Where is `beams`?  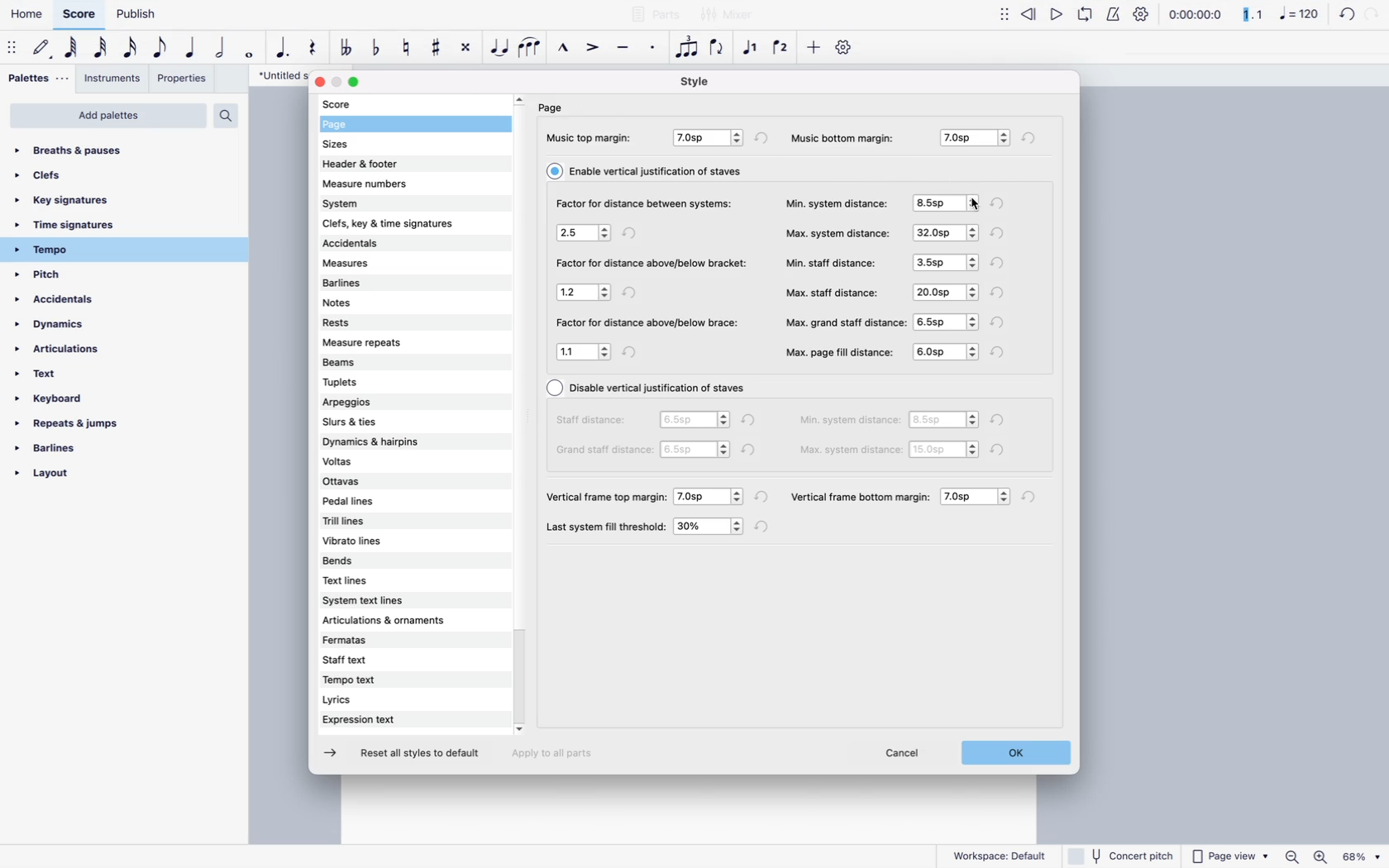
beams is located at coordinates (375, 361).